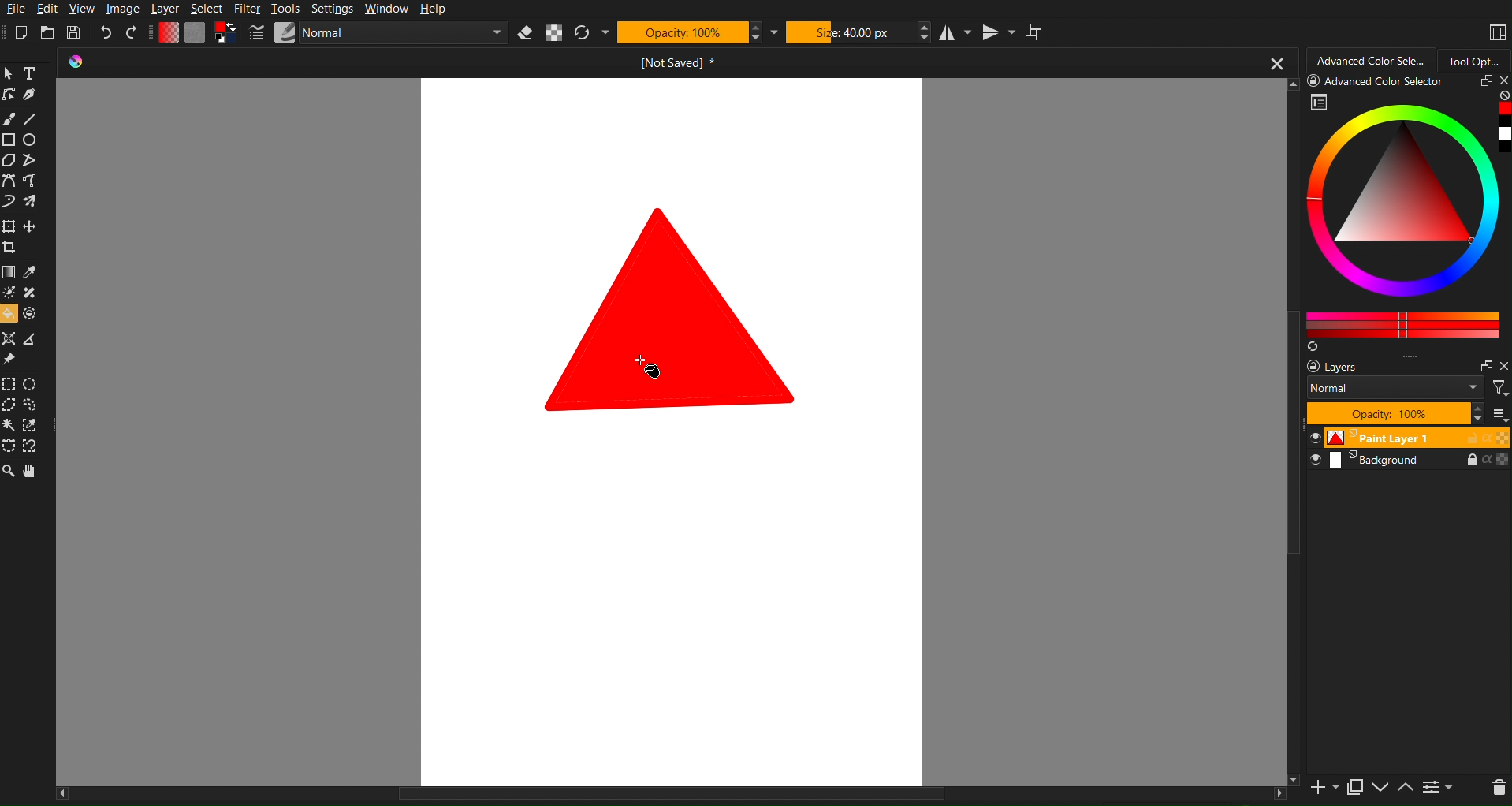 The height and width of the screenshot is (806, 1512). I want to click on background, so click(1410, 462).